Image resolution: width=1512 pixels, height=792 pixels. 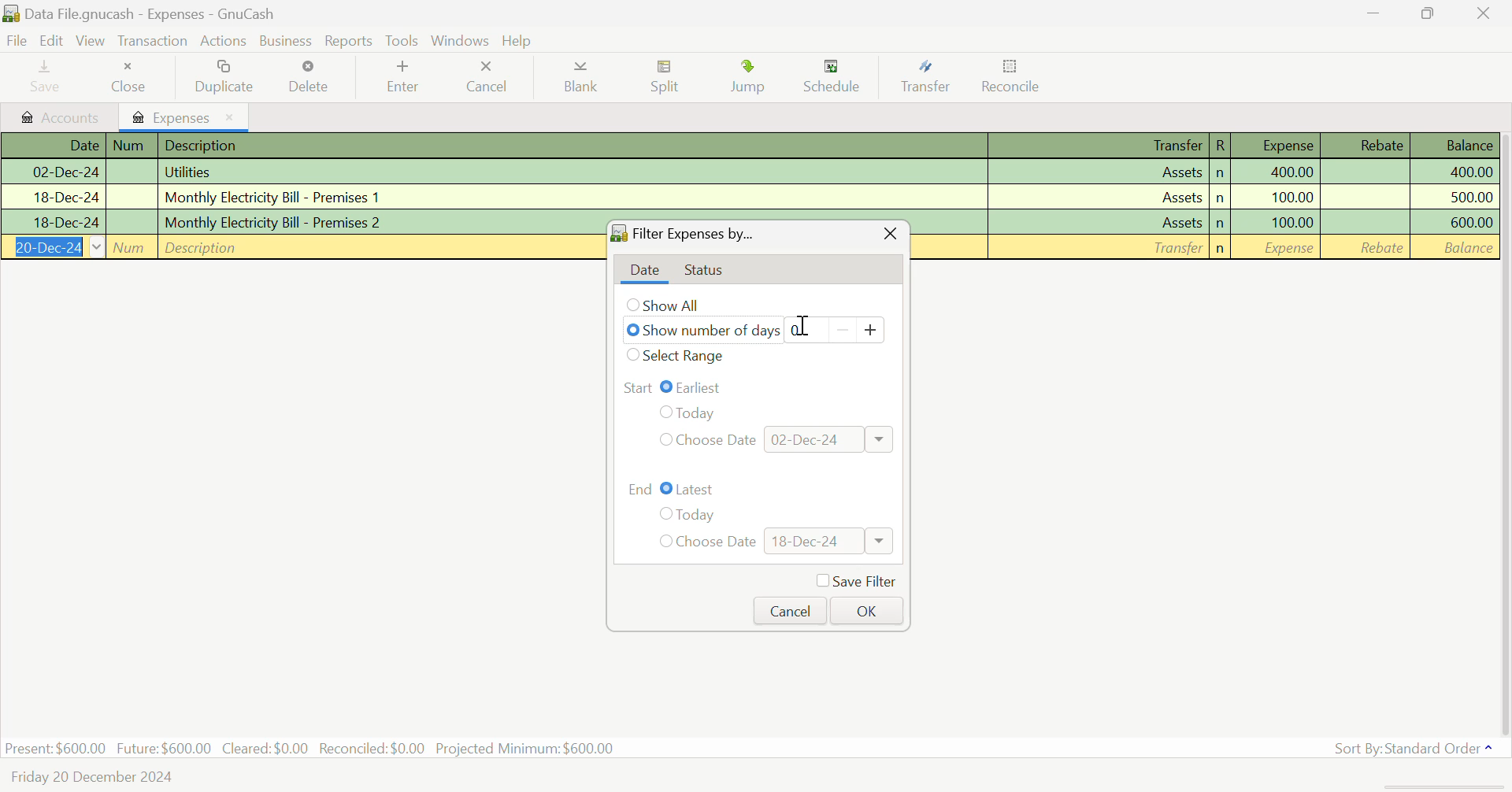 What do you see at coordinates (669, 305) in the screenshot?
I see `Show All` at bounding box center [669, 305].